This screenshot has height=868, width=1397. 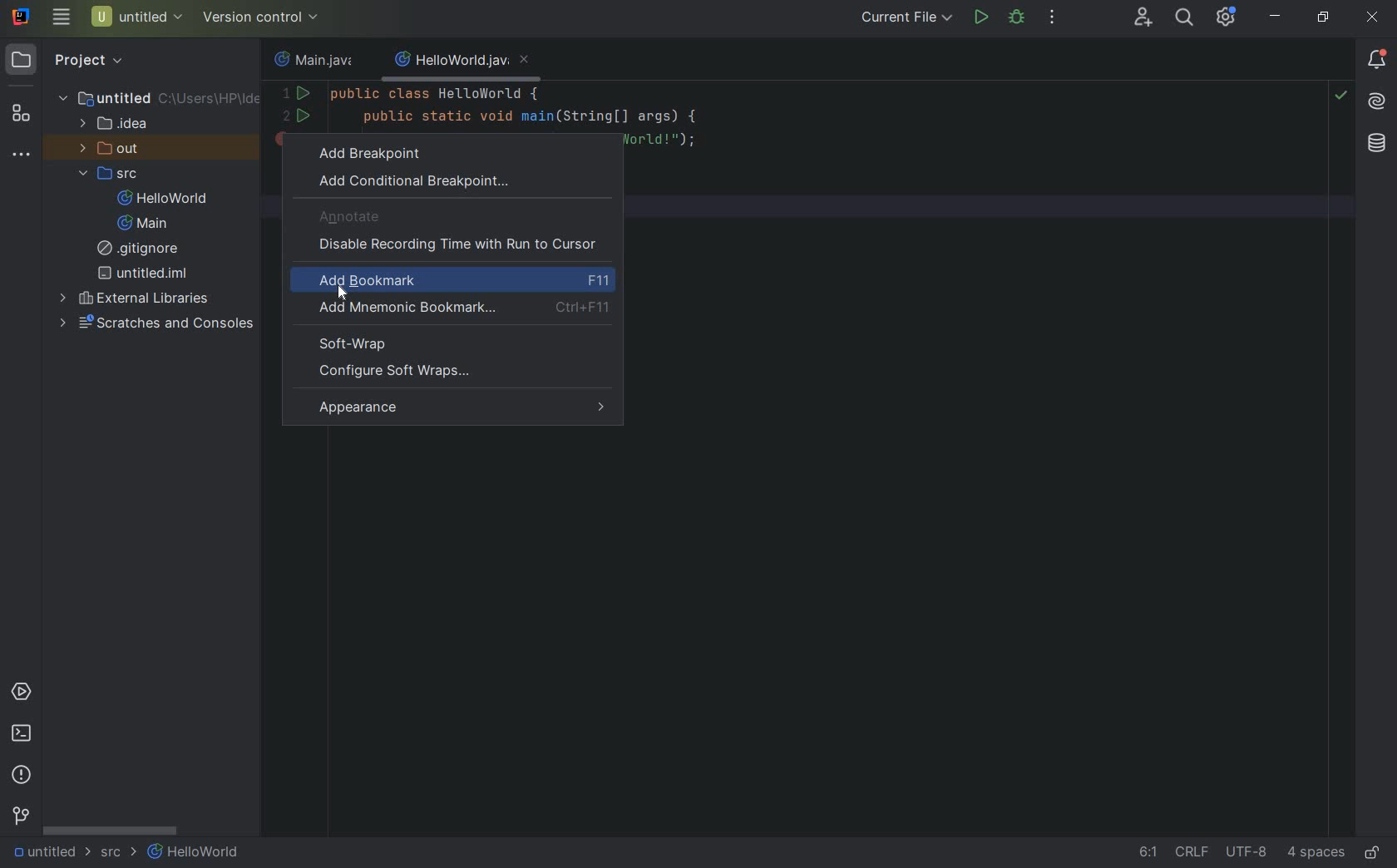 I want to click on debug, so click(x=1016, y=18).